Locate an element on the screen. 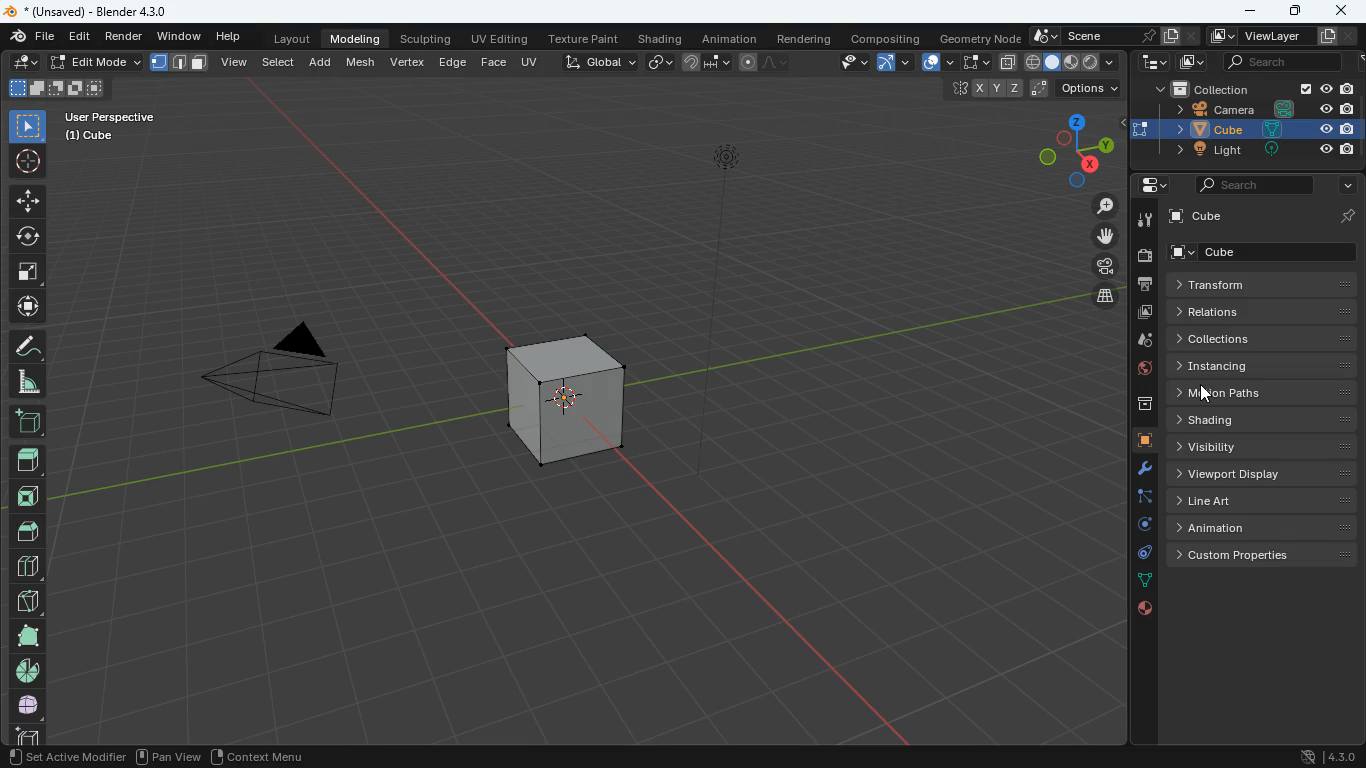 Image resolution: width=1366 pixels, height=768 pixels. light is located at coordinates (1260, 150).